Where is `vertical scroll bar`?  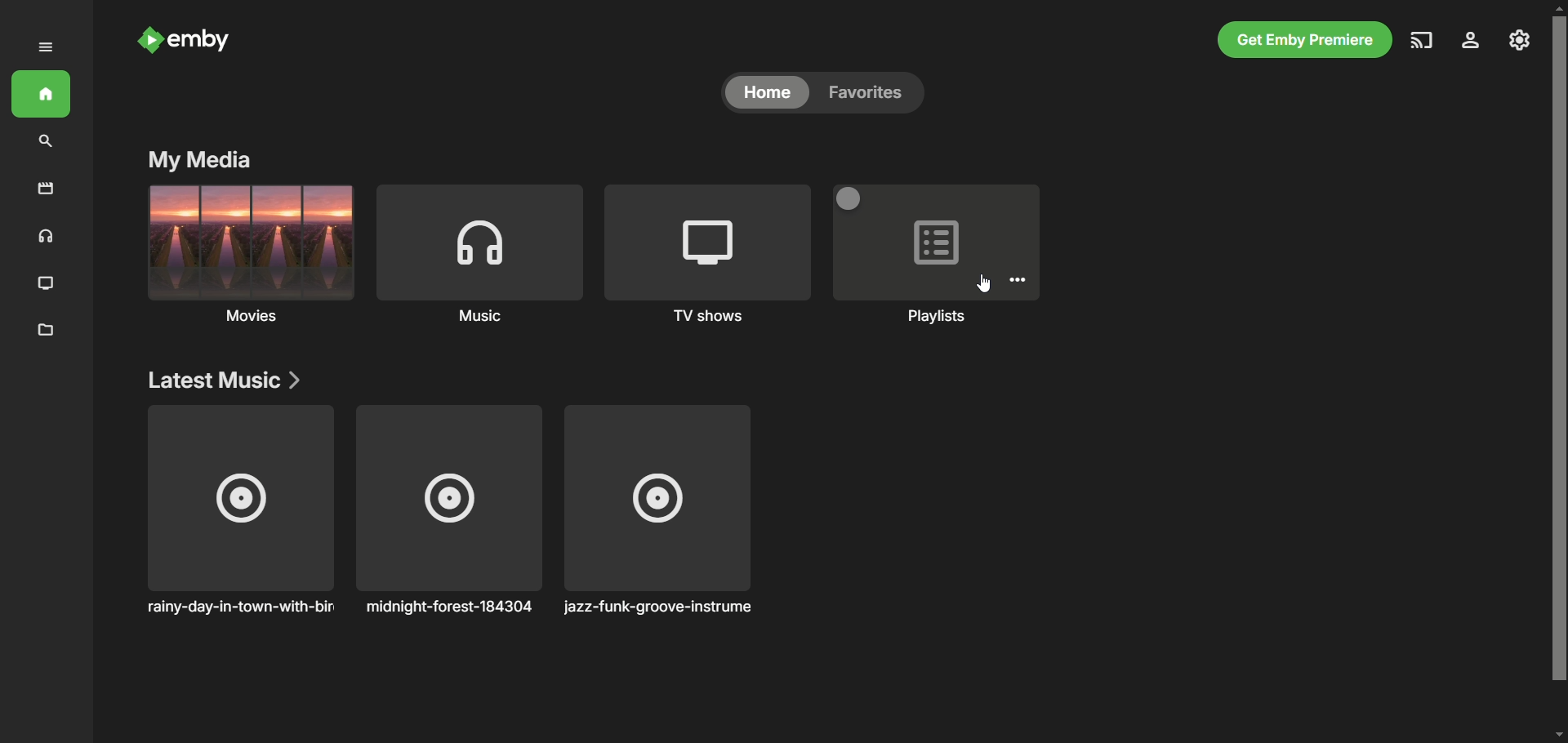
vertical scroll bar is located at coordinates (1558, 371).